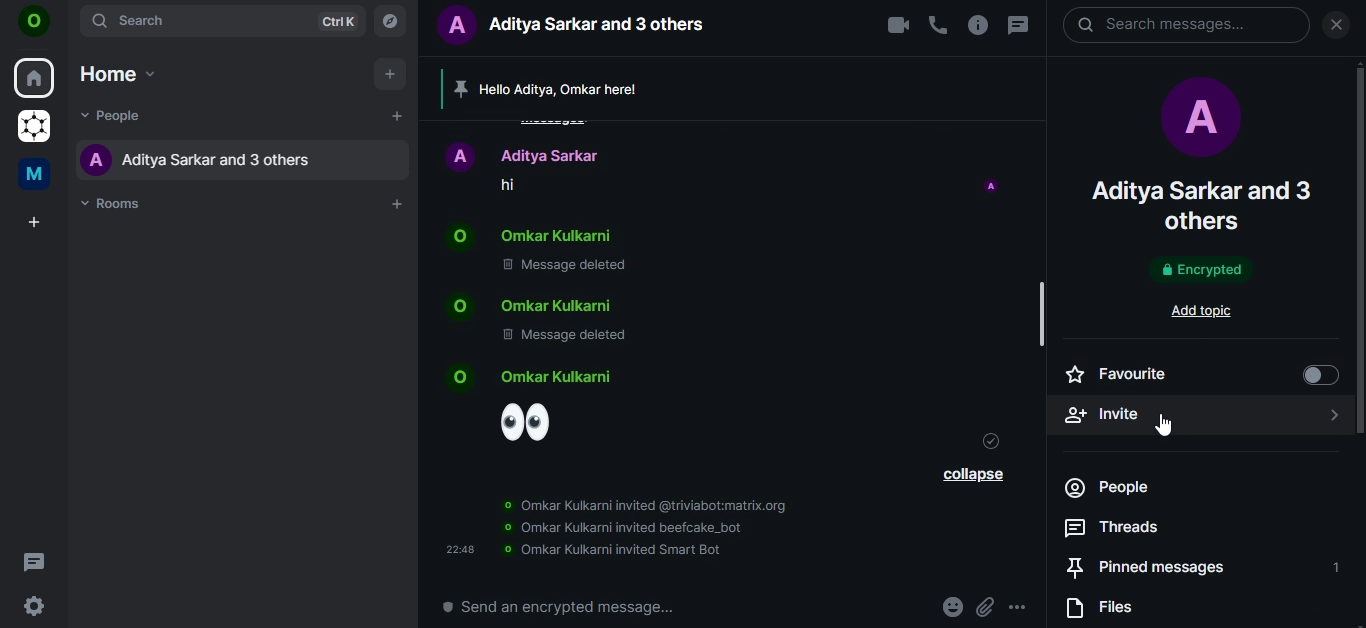 This screenshot has width=1366, height=628. What do you see at coordinates (1019, 607) in the screenshot?
I see `options` at bounding box center [1019, 607].